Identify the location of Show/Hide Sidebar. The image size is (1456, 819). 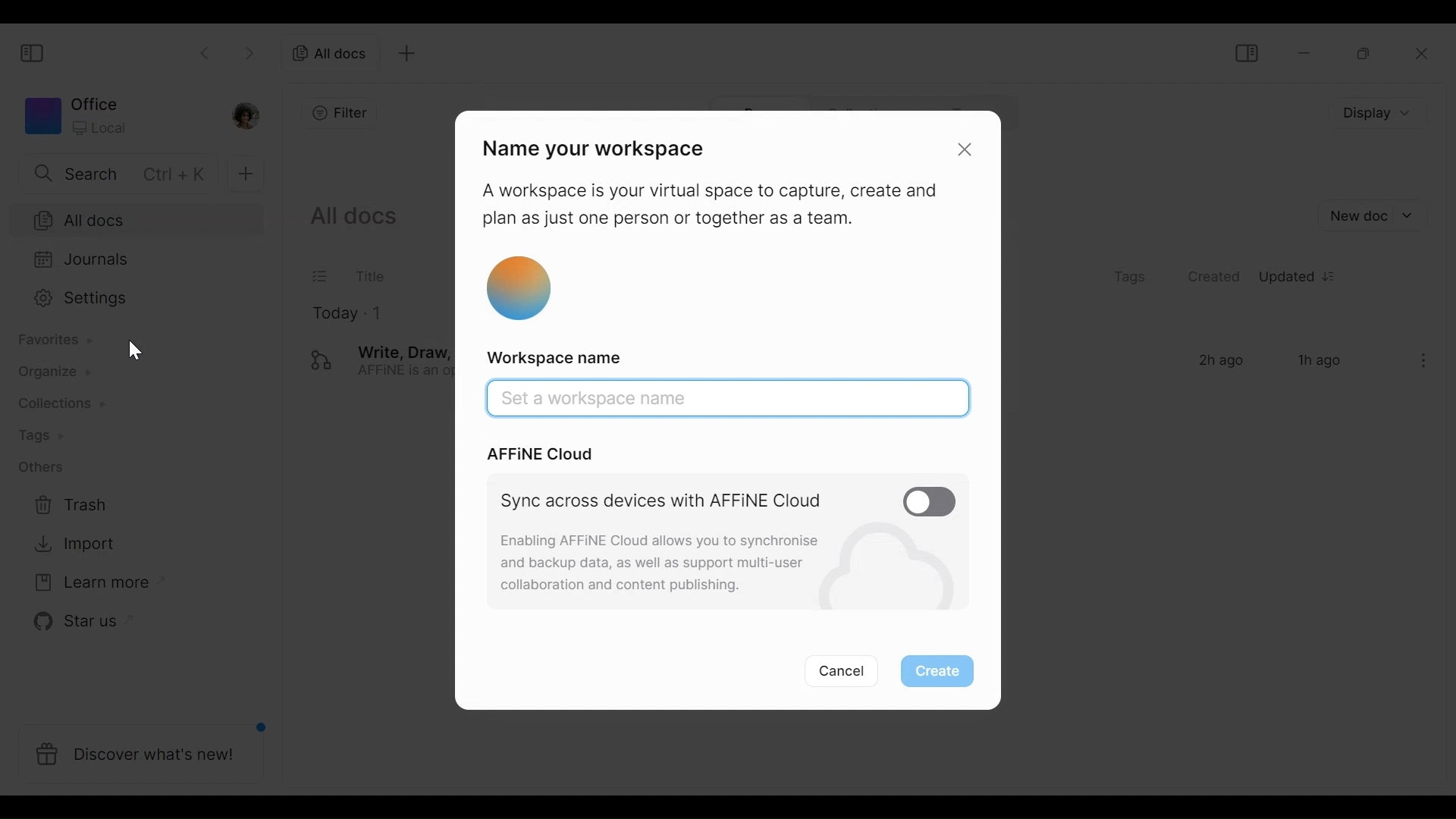
(33, 50).